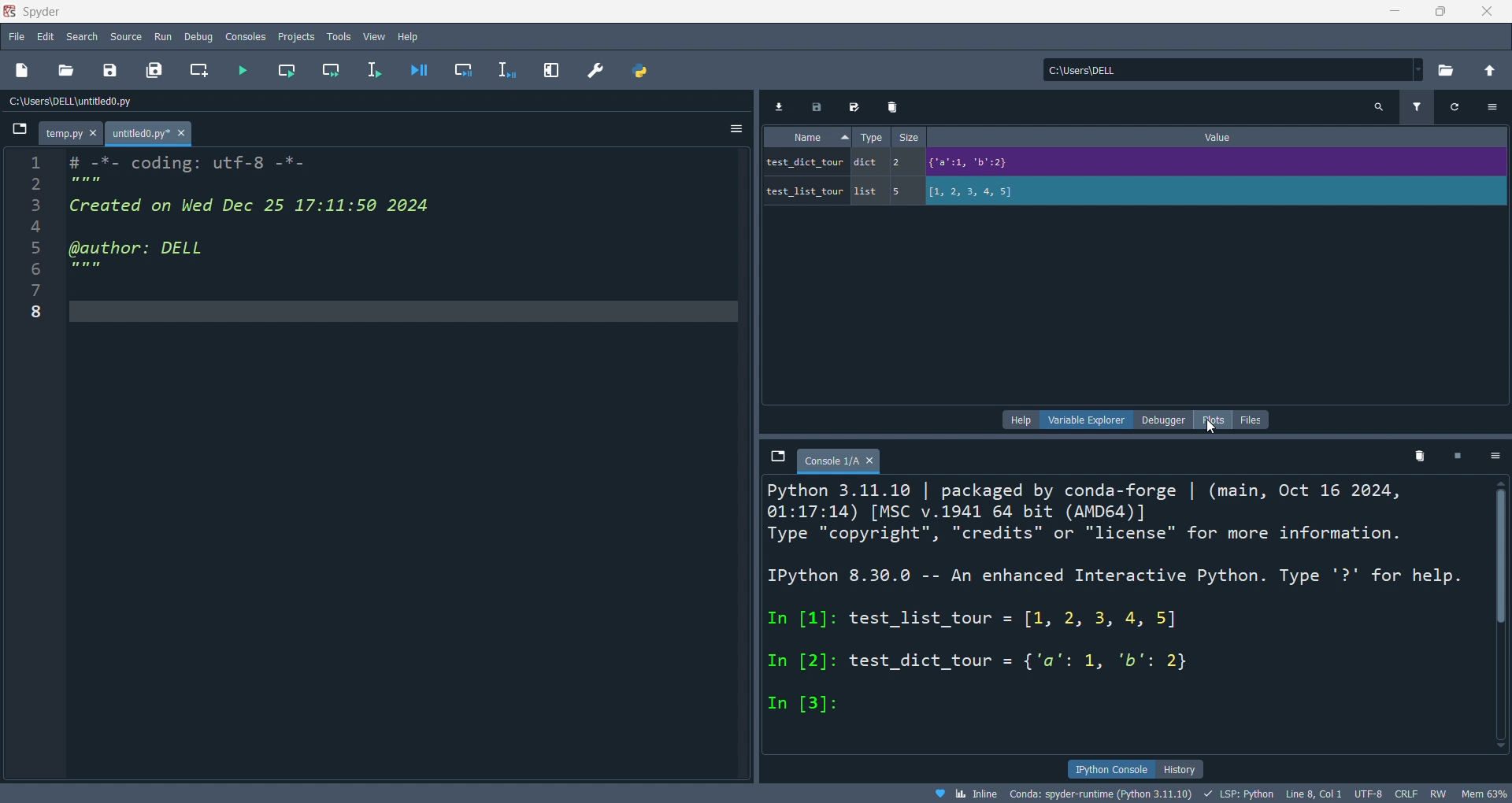 This screenshot has height=803, width=1512. I want to click on open file, so click(66, 71).